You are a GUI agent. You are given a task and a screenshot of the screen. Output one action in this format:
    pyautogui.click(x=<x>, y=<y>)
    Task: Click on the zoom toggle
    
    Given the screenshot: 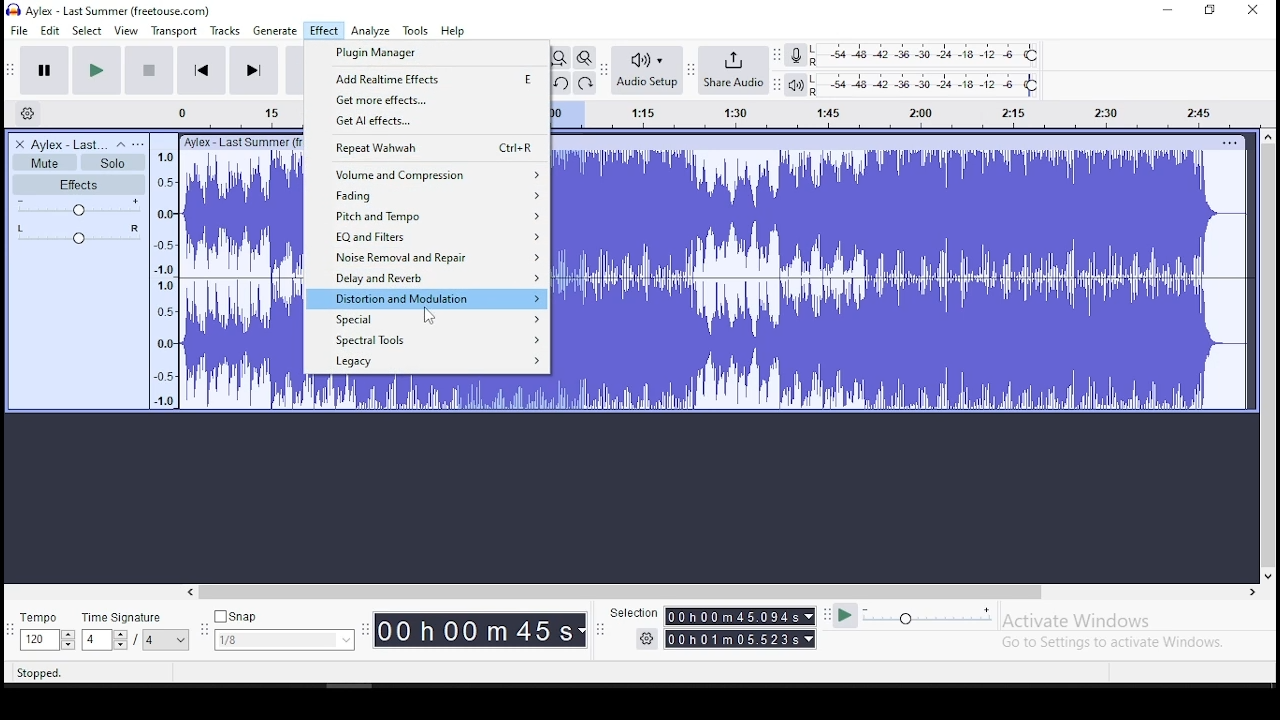 What is the action you would take?
    pyautogui.click(x=584, y=57)
    